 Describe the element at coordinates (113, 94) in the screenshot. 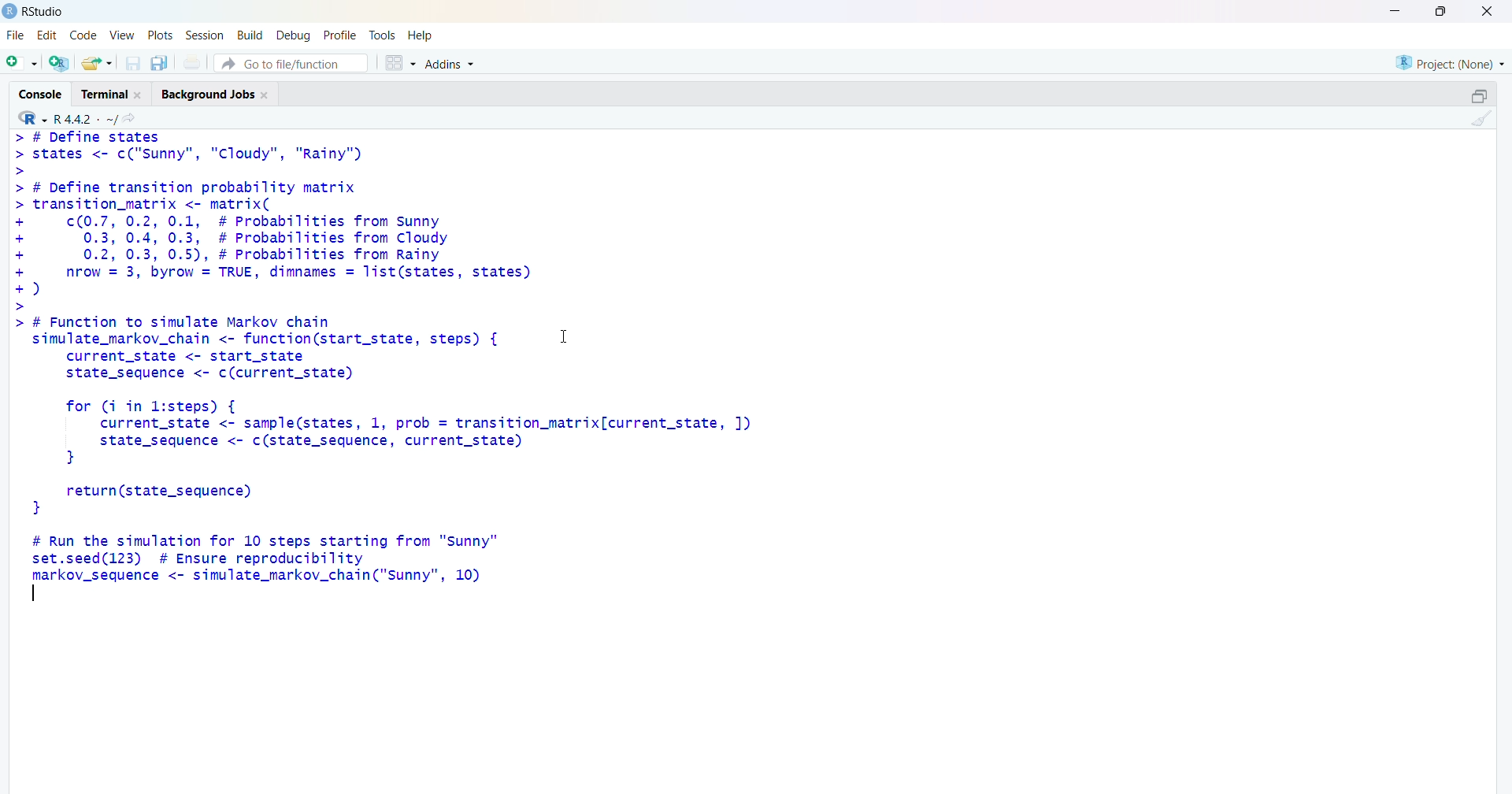

I see `terminal` at that location.